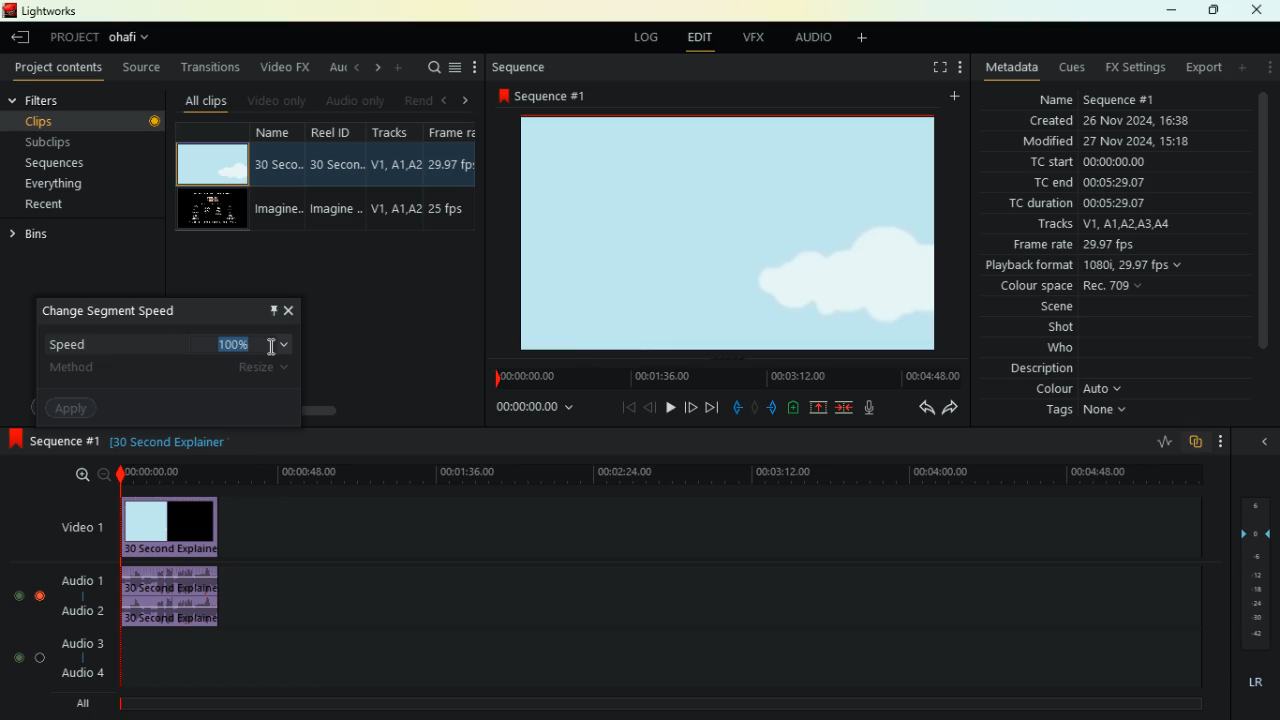 This screenshot has width=1280, height=720. What do you see at coordinates (1214, 10) in the screenshot?
I see `maximize` at bounding box center [1214, 10].